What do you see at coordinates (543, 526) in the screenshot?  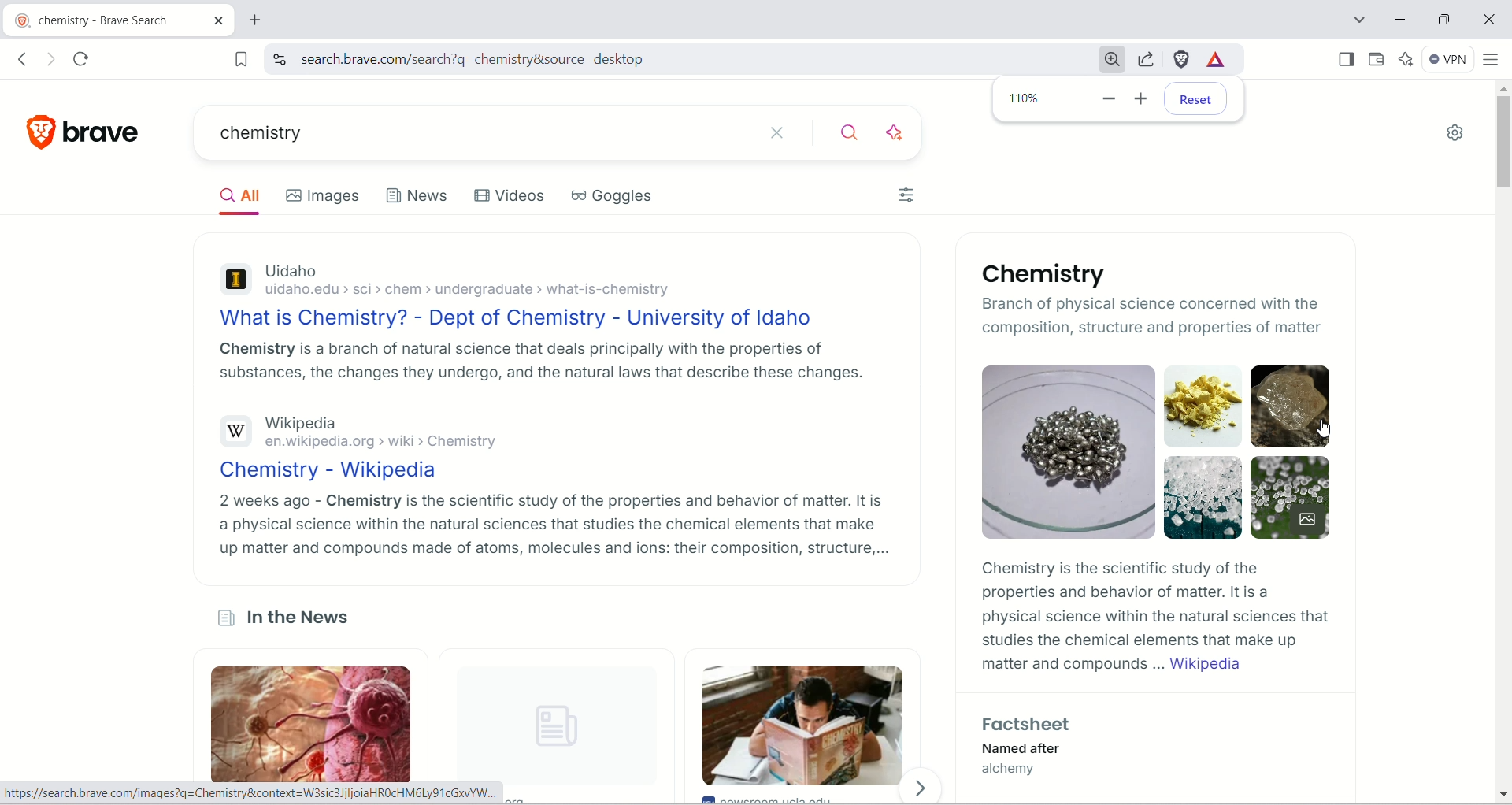 I see `2 weeks ago - Chemistry is the scientific study of the properties and behavior of matter. It is
a physical science within the natural sciences that studies the chemical elements that make
up matter and compounds made of atoms, molecules and ions: their composition, structure,...` at bounding box center [543, 526].